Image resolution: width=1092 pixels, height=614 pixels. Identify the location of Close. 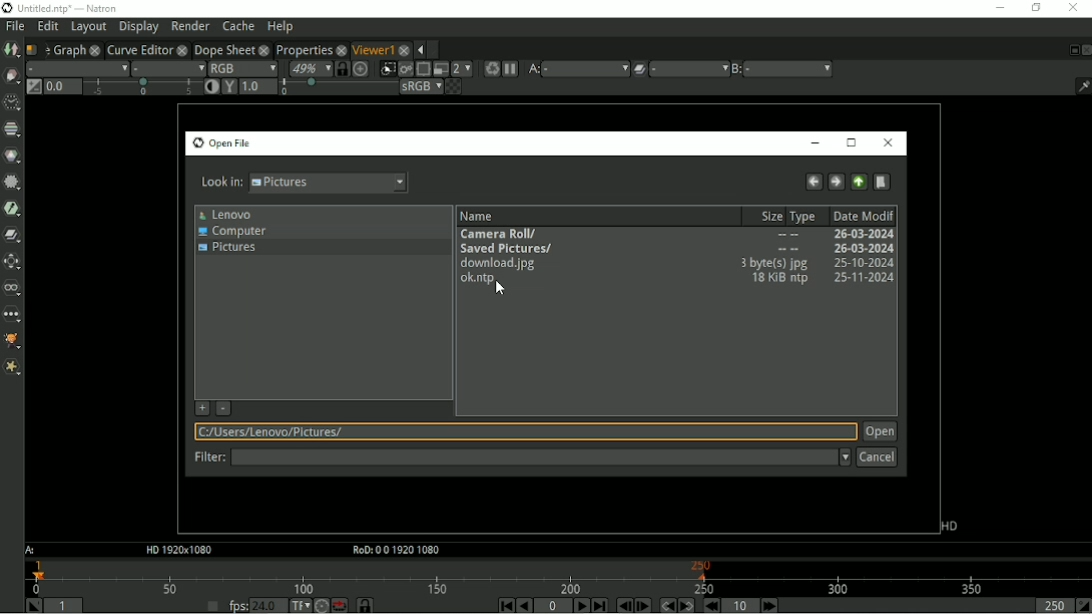
(1072, 8).